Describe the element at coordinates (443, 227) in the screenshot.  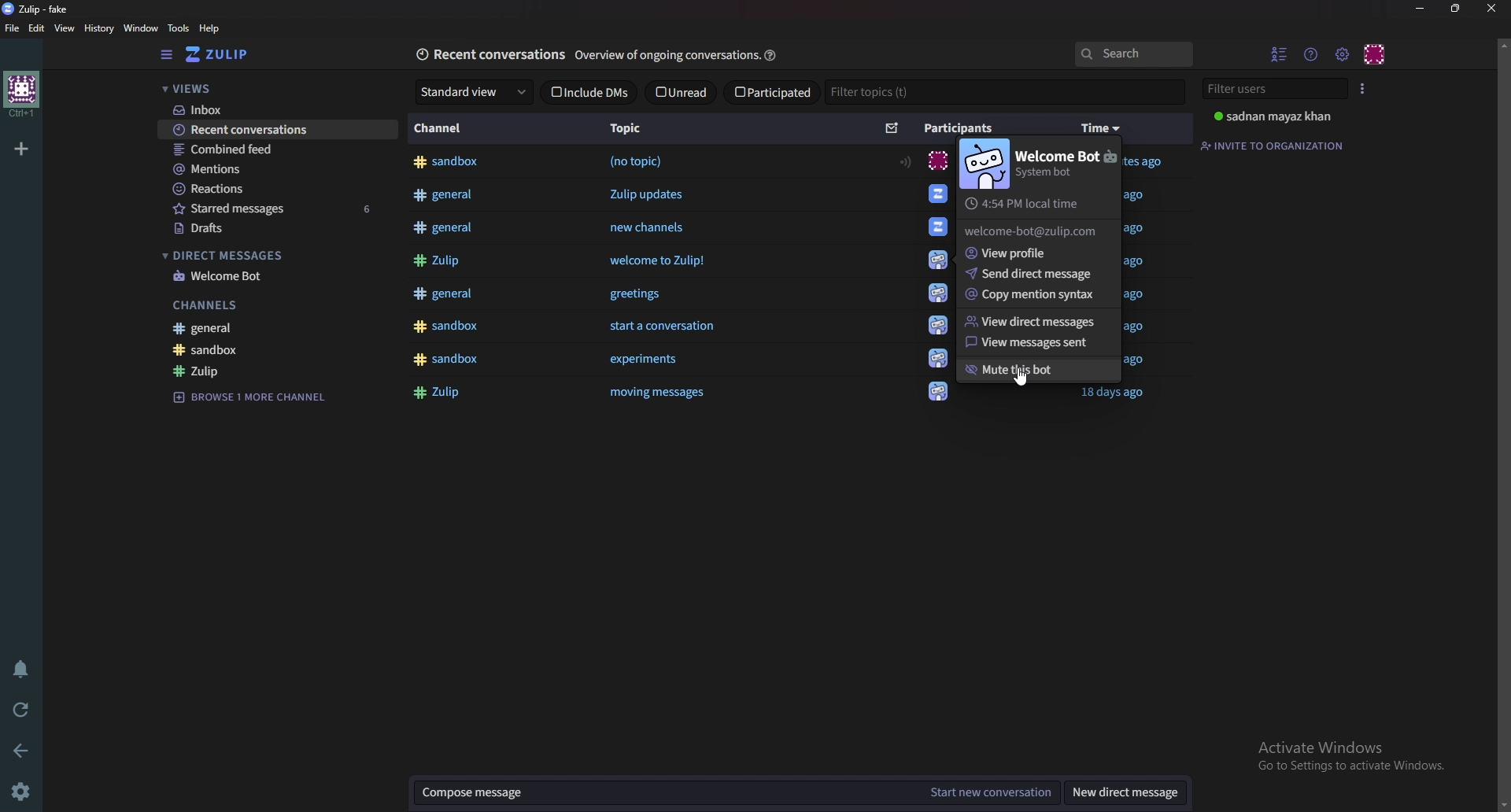
I see `#general` at that location.